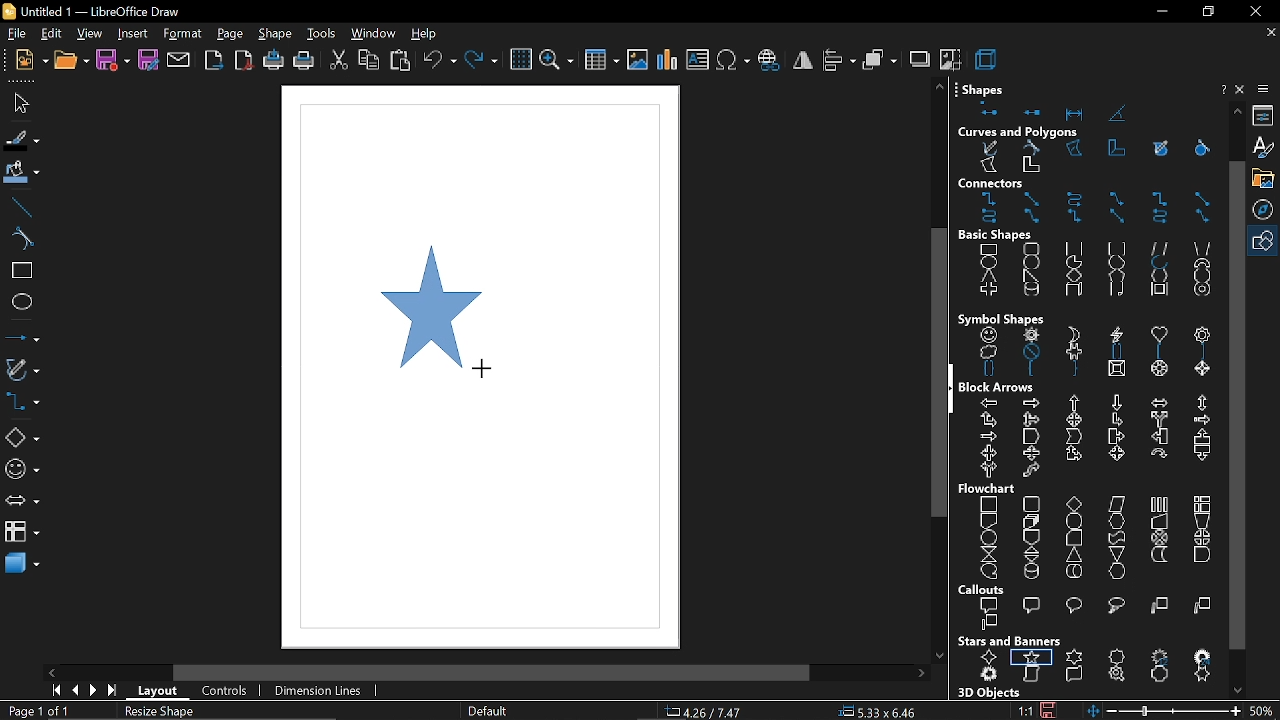  Describe the element at coordinates (94, 691) in the screenshot. I see `next page` at that location.